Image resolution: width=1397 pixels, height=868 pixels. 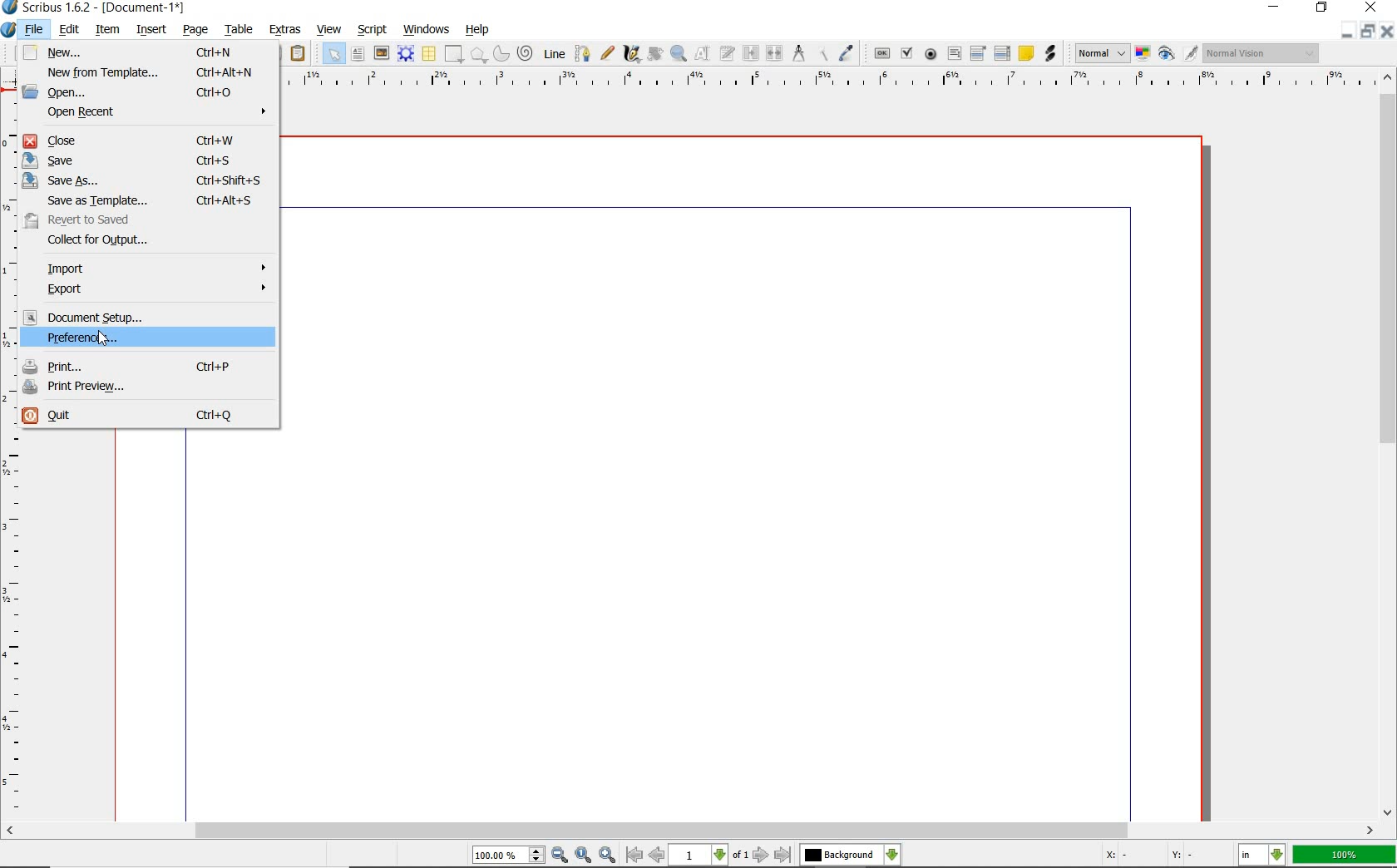 I want to click on select, so click(x=333, y=55).